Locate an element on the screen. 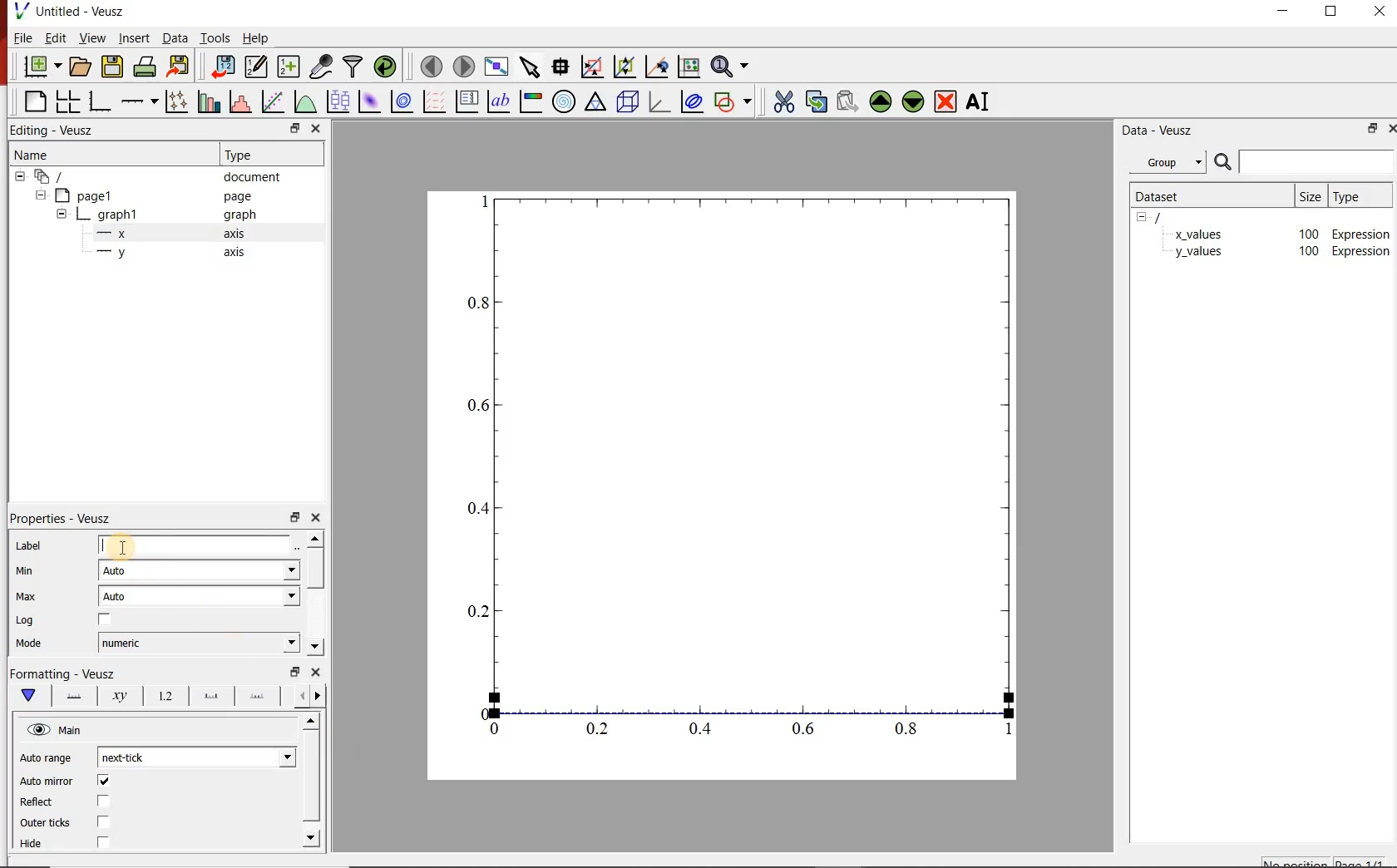  bar graph is located at coordinates (100, 103).